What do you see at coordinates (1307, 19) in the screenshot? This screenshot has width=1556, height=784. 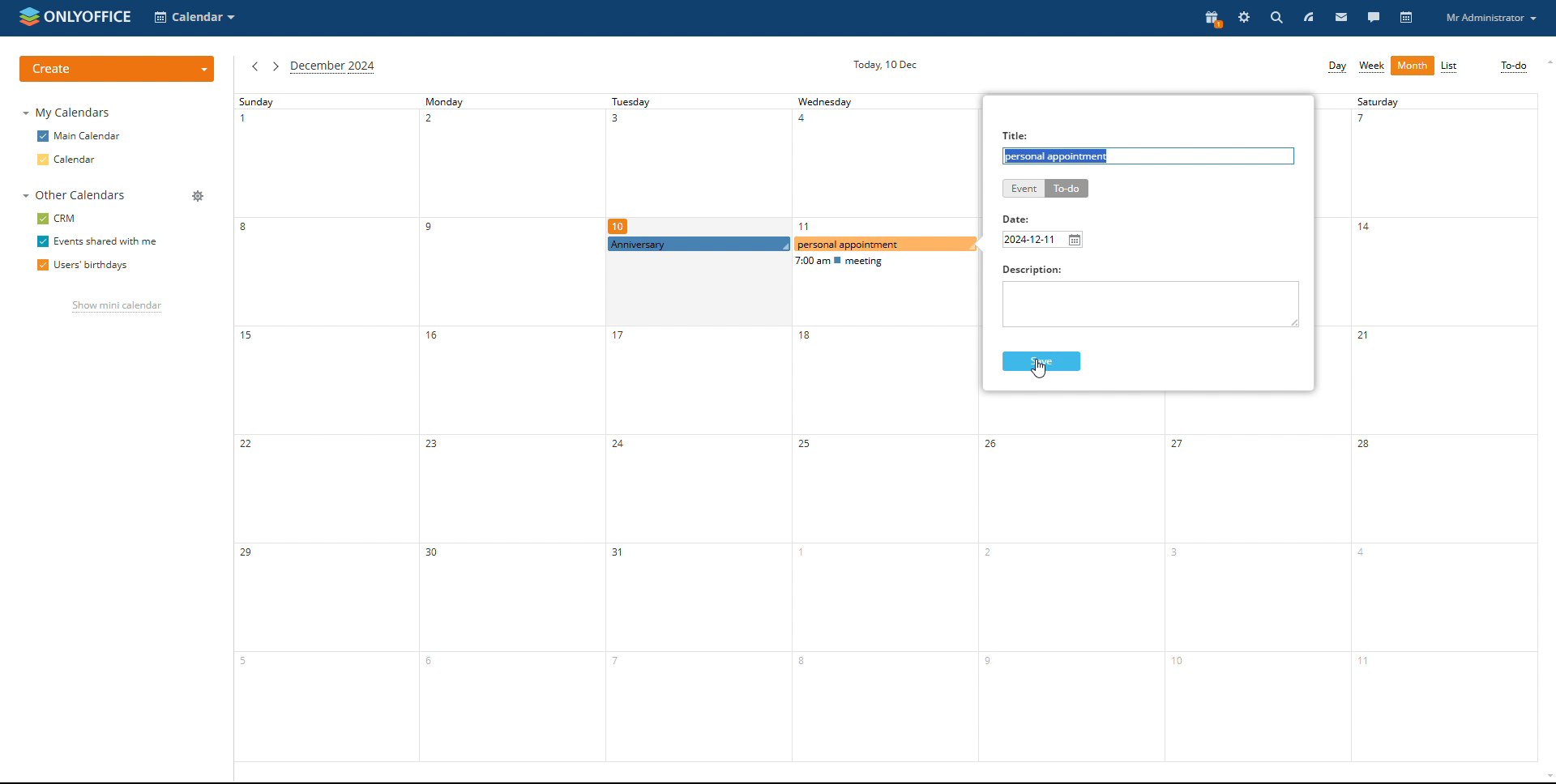 I see `feed` at bounding box center [1307, 19].